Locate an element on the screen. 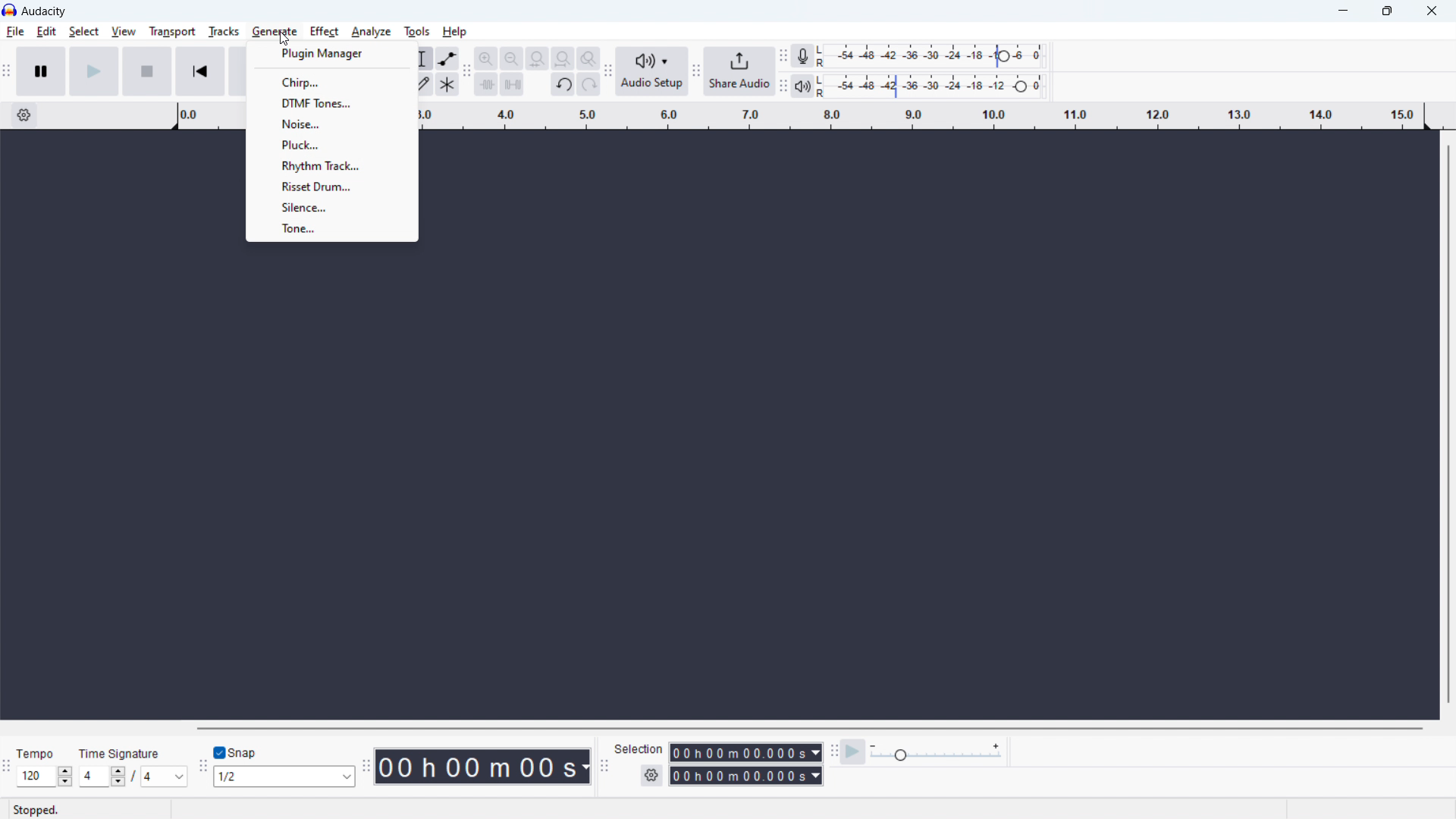 This screenshot has width=1456, height=819. select snapping is located at coordinates (285, 777).